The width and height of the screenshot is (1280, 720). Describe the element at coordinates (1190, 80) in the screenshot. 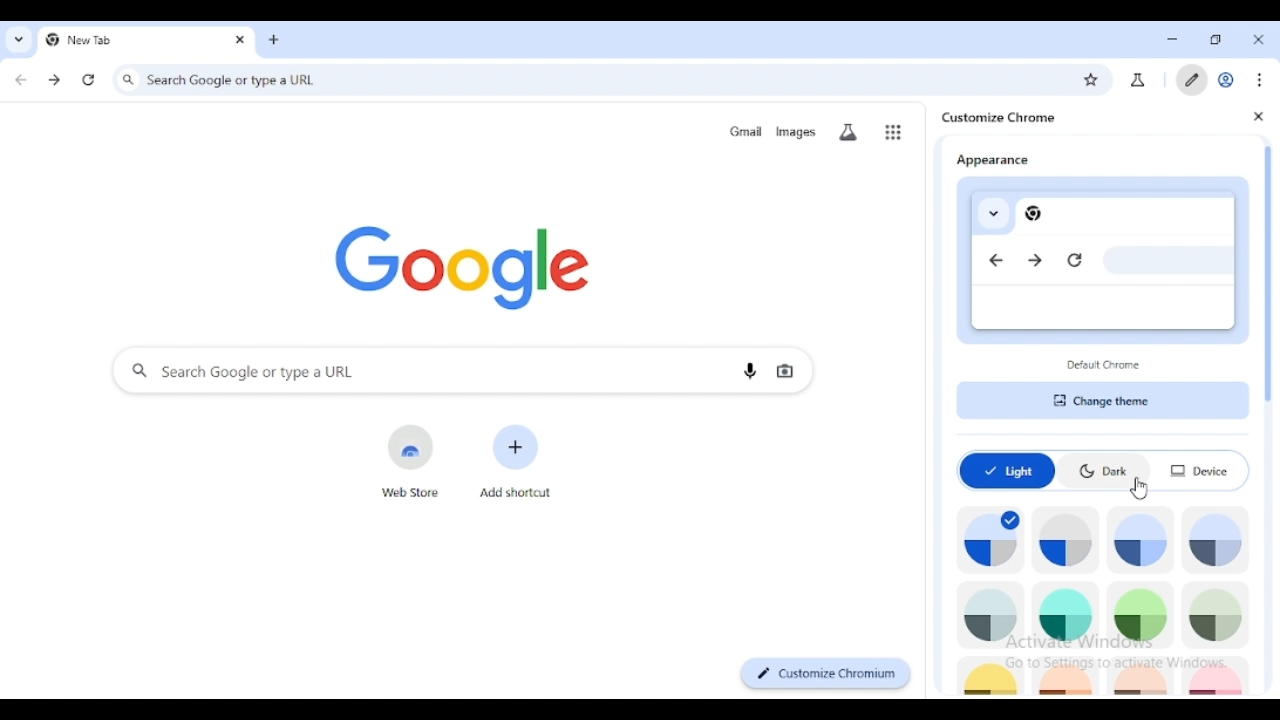

I see `edit` at that location.